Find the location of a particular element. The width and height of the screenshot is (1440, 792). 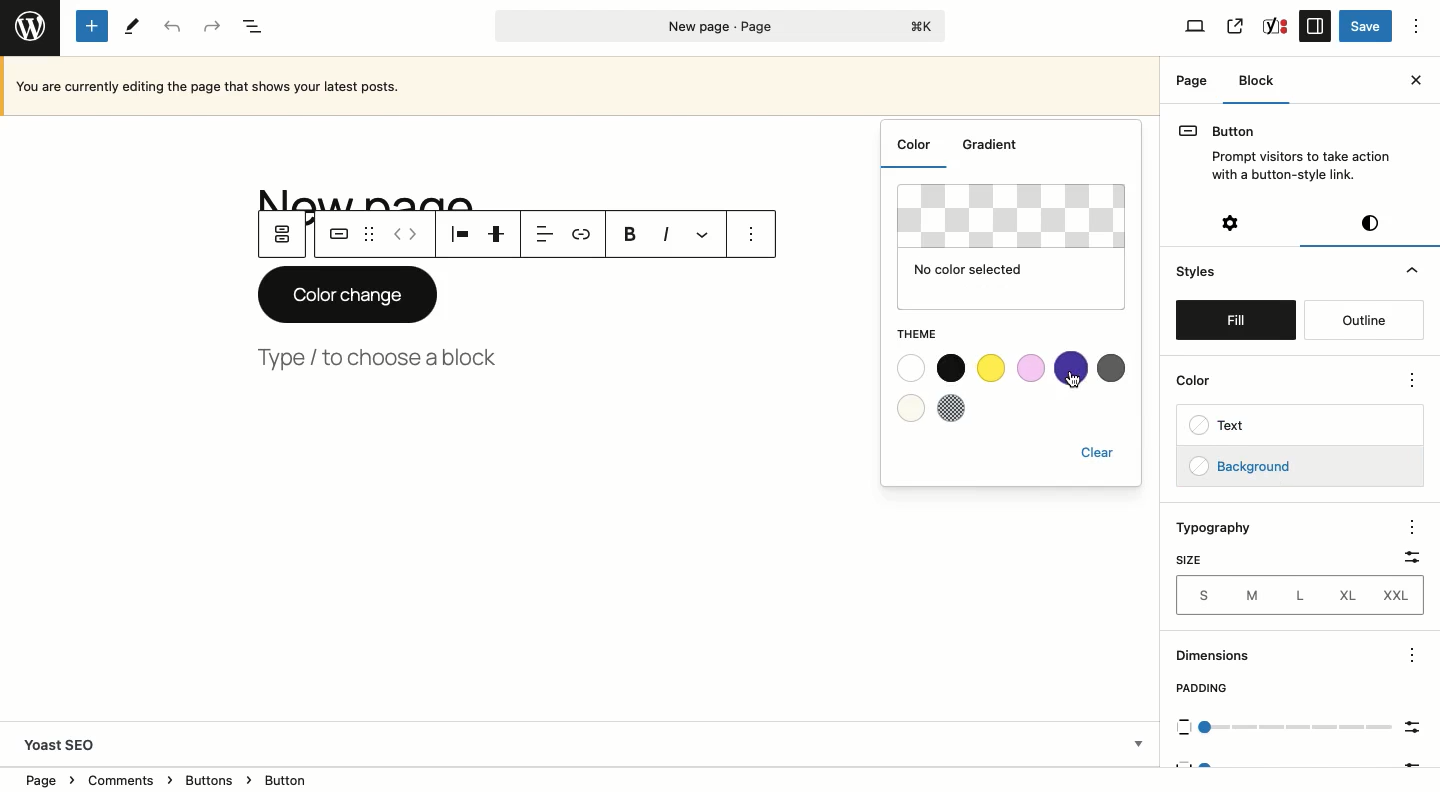

Purple is located at coordinates (1071, 369).